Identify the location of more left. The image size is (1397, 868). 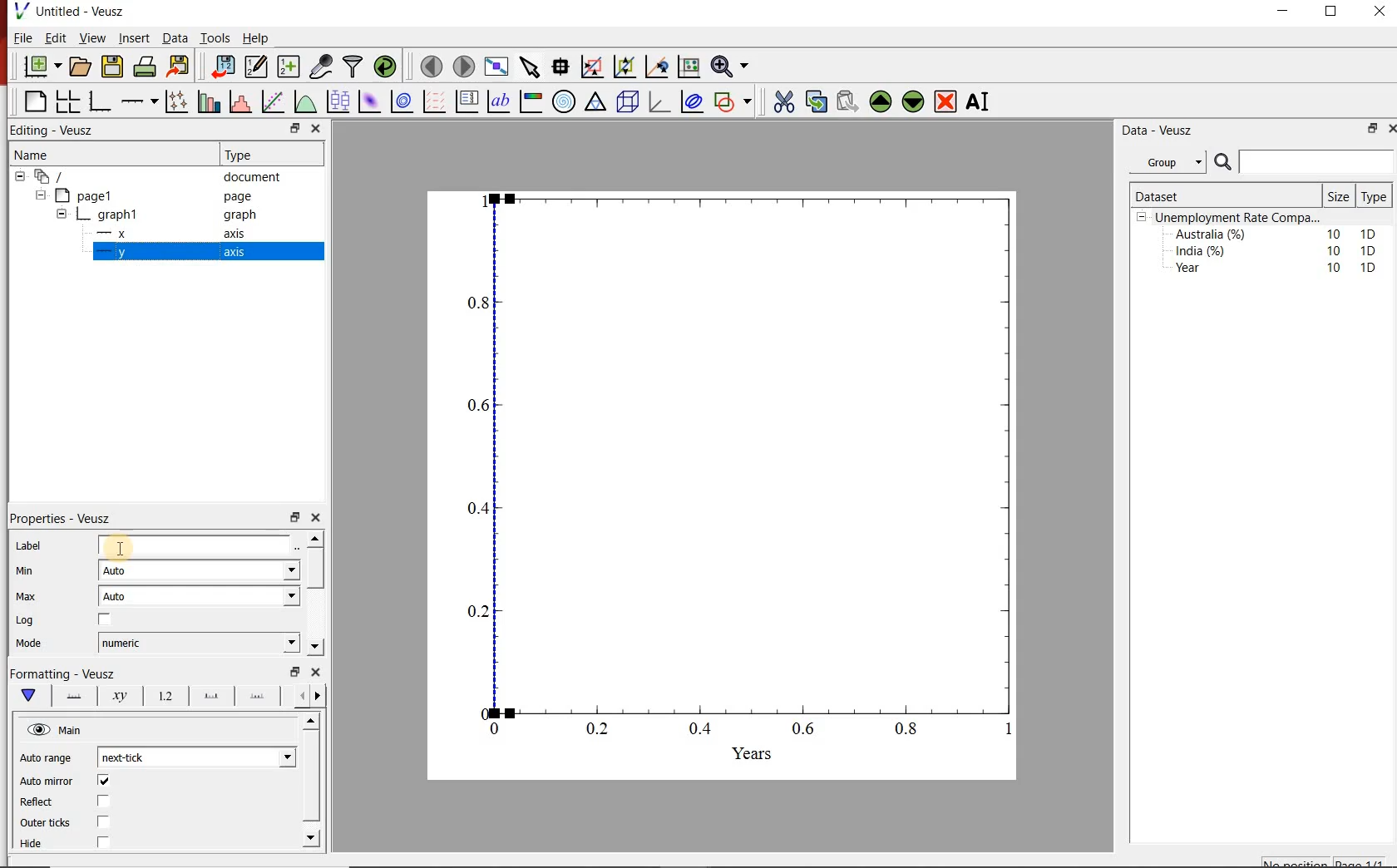
(299, 695).